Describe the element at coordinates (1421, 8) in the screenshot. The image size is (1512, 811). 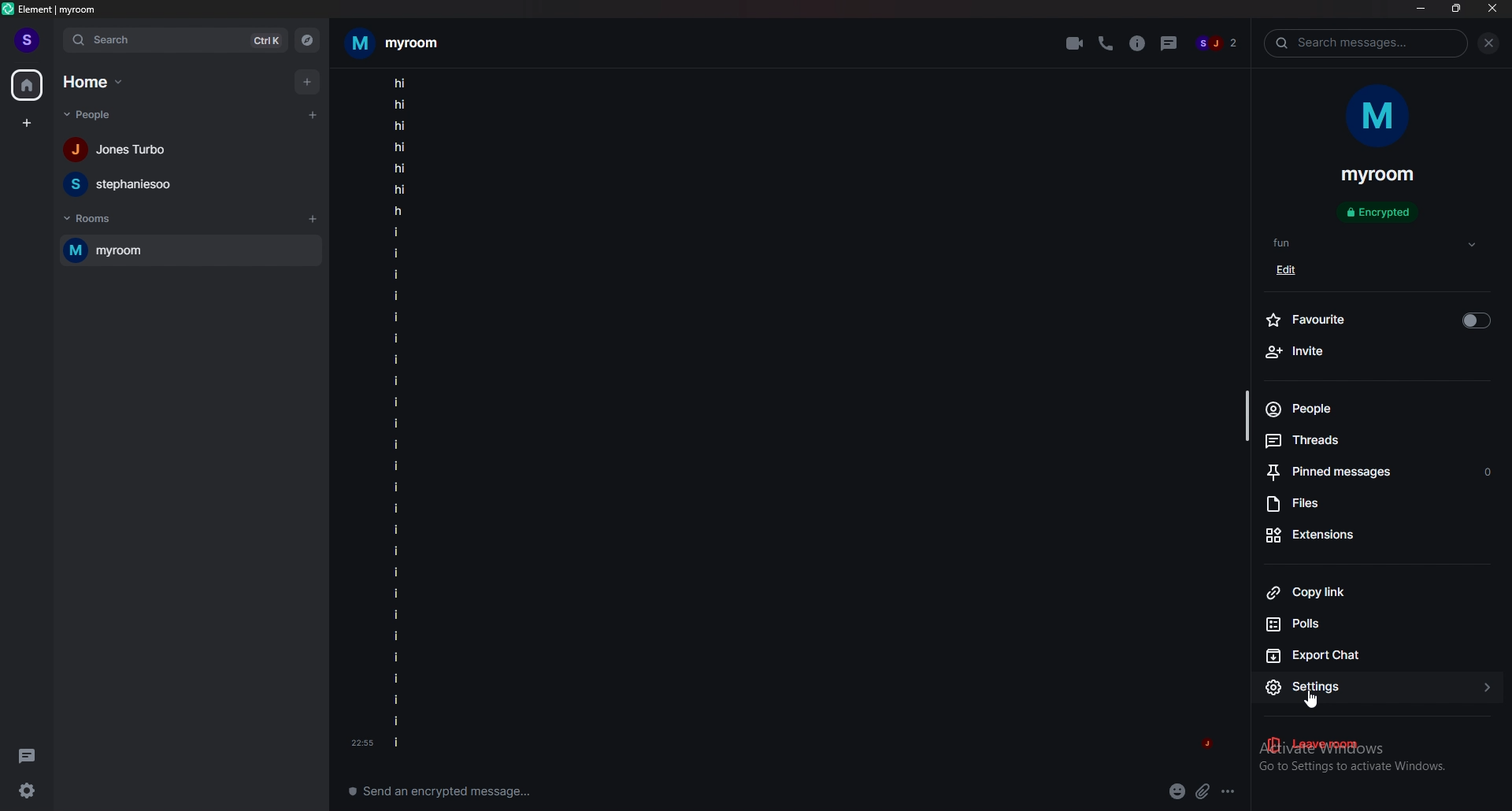
I see `minimize` at that location.